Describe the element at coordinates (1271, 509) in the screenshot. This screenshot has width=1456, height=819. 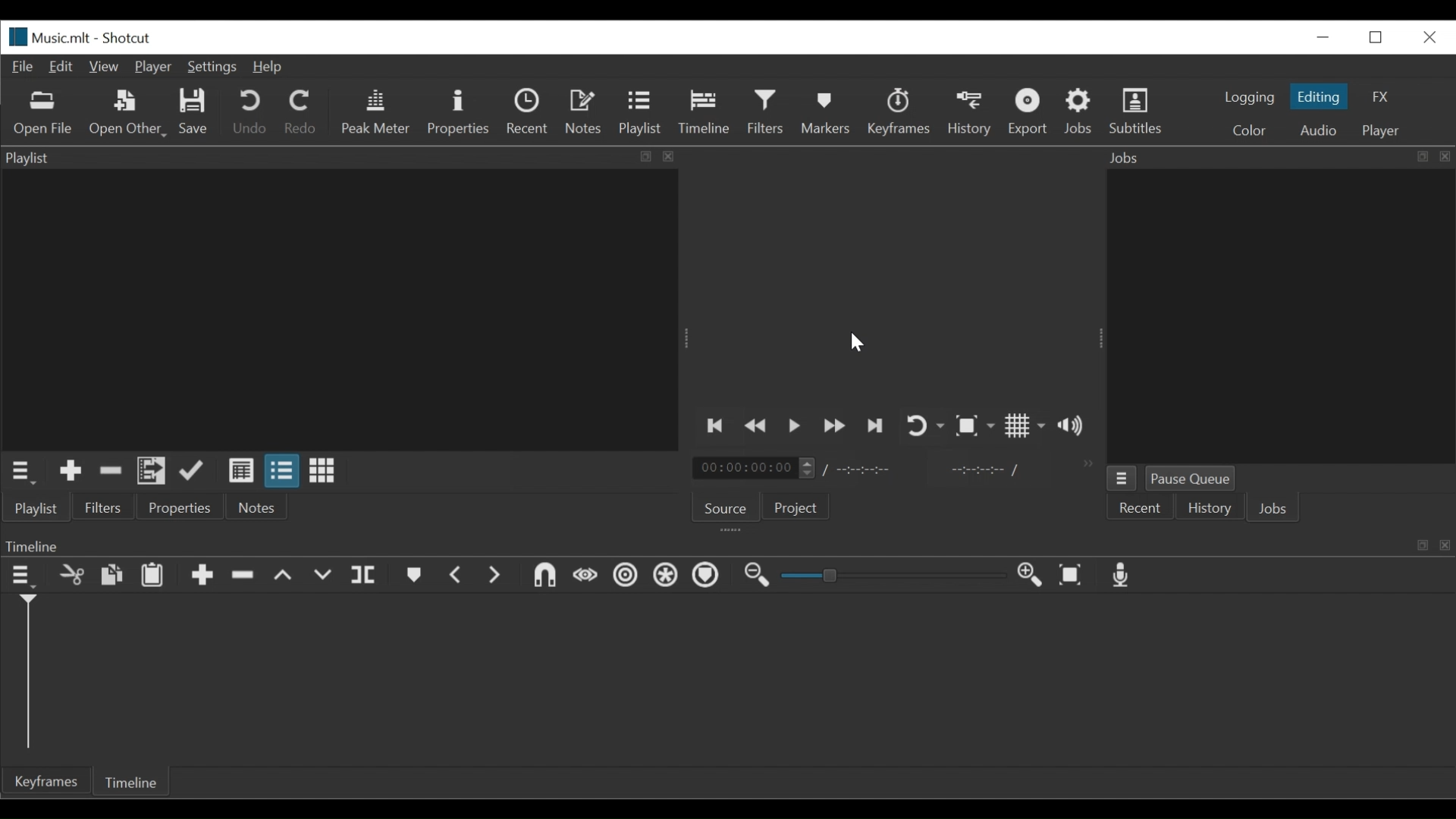
I see `Jobs` at that location.